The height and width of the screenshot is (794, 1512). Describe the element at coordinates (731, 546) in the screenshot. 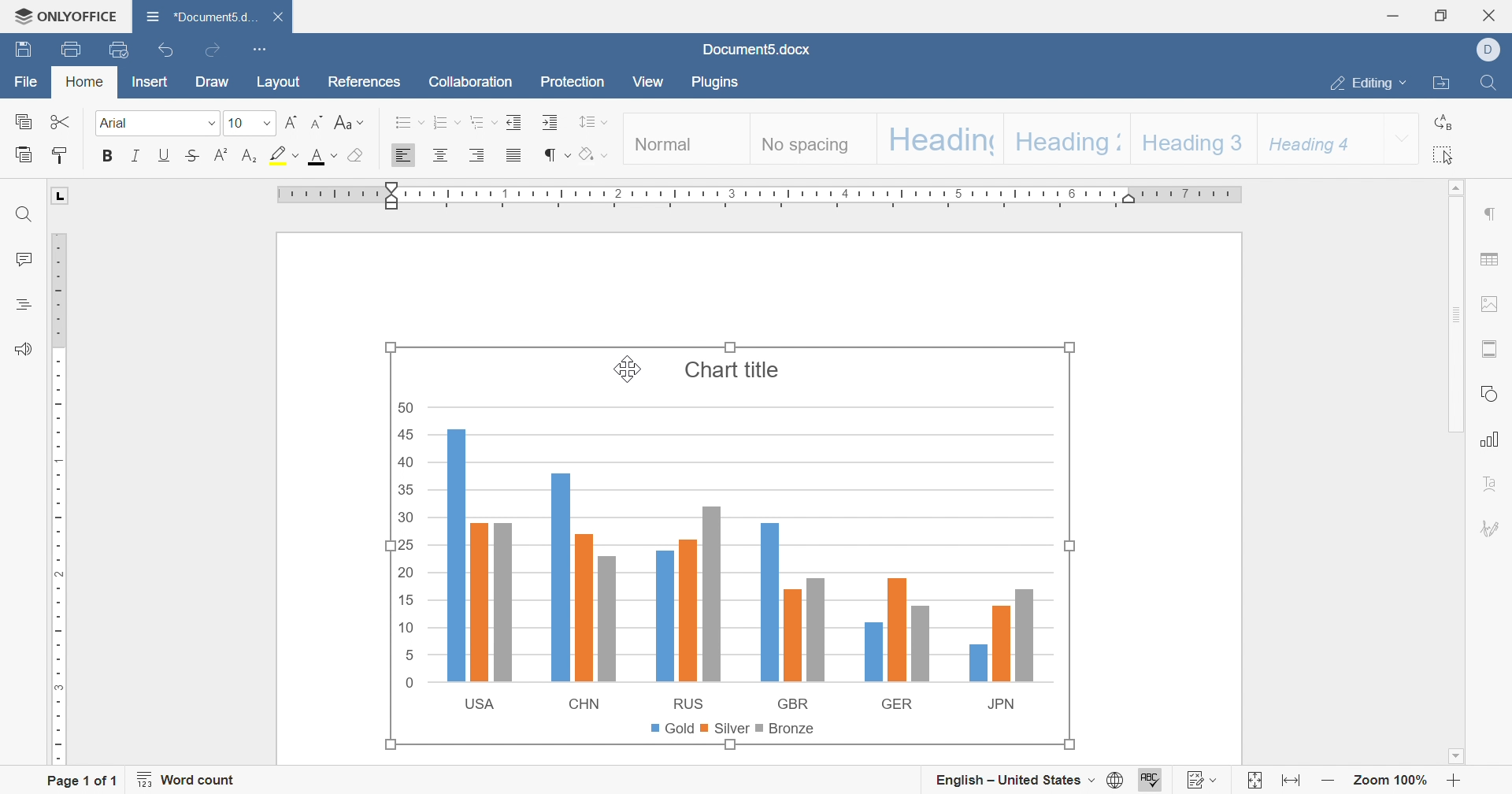

I see `Chart` at that location.